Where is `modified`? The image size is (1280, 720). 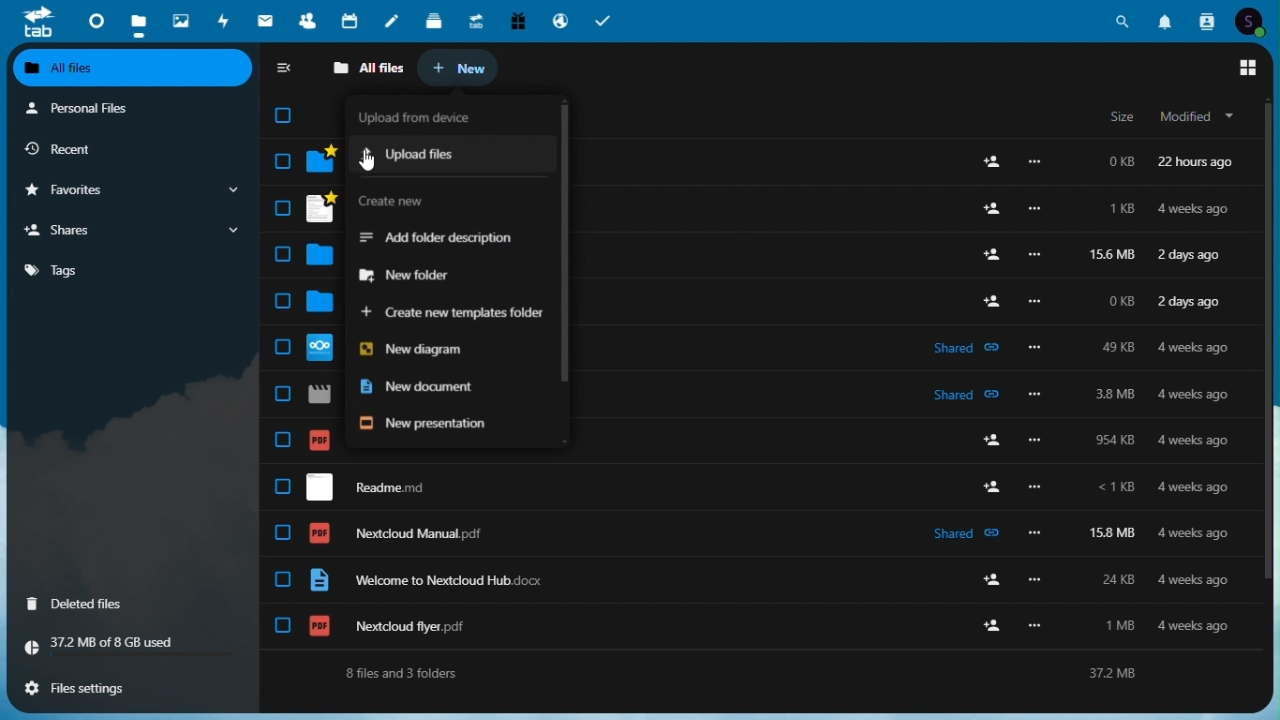
modified is located at coordinates (1199, 118).